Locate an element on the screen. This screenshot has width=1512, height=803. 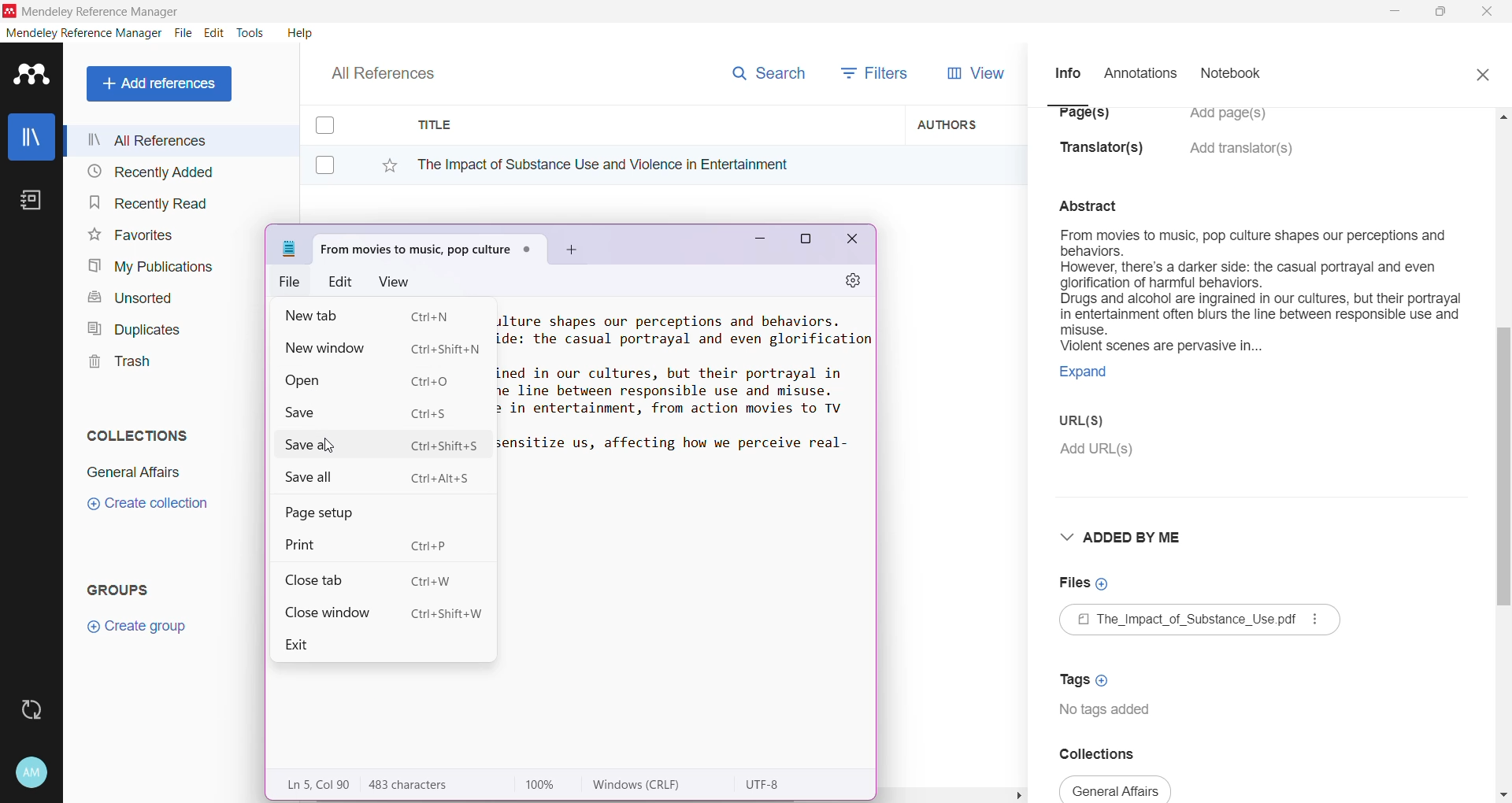
Title is located at coordinates (654, 125).